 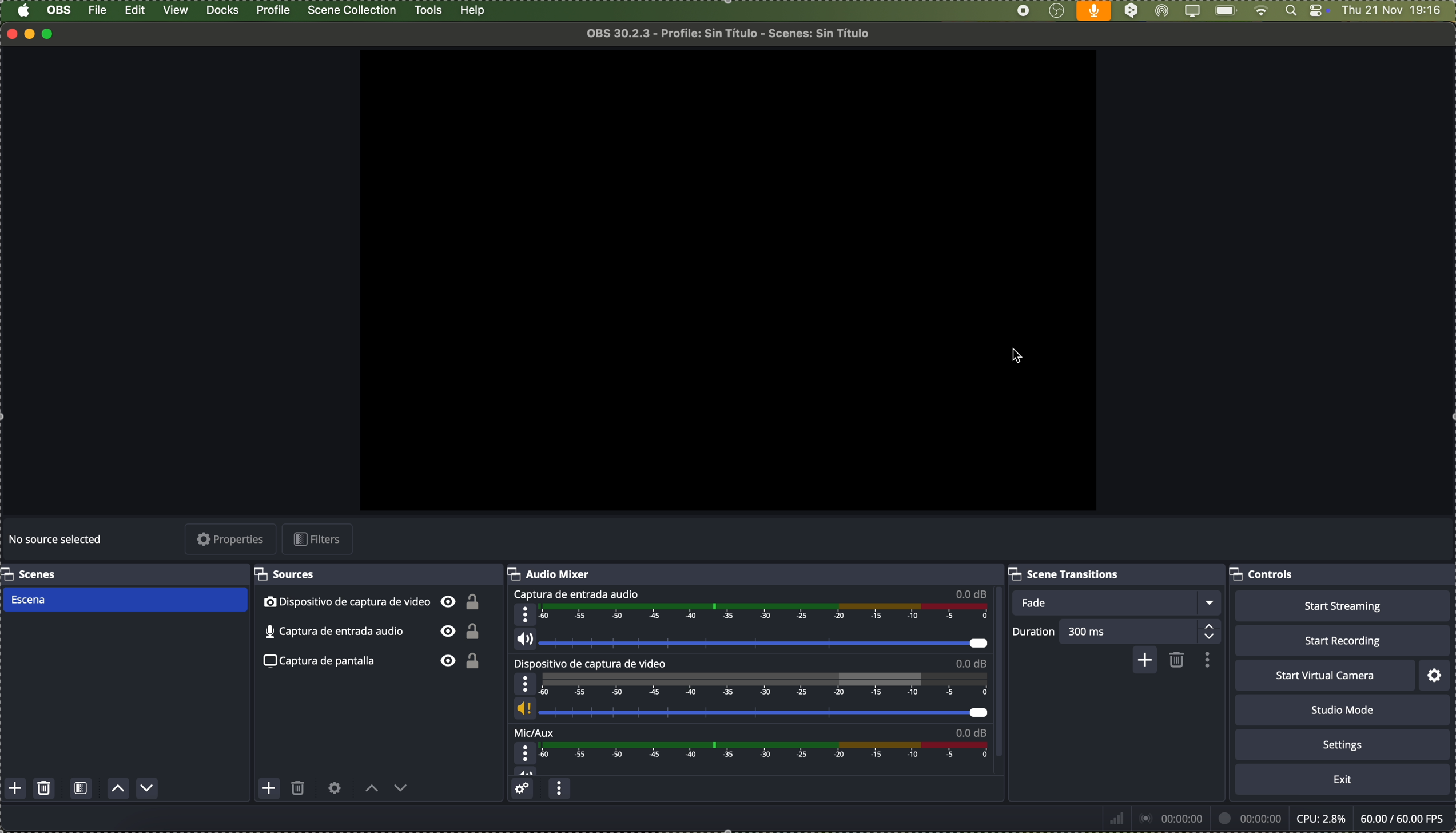 I want to click on exit, so click(x=1343, y=780).